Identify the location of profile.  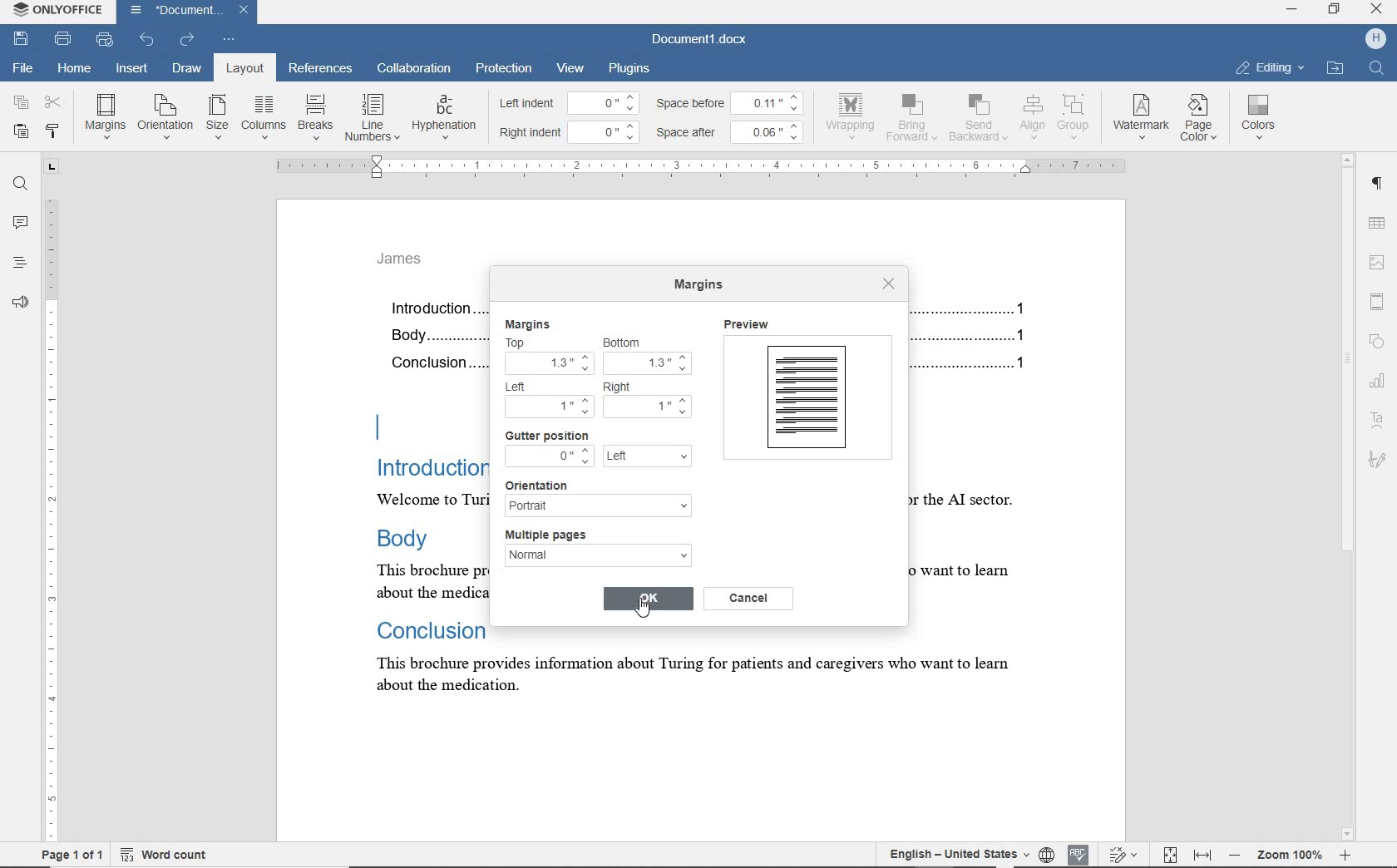
(1364, 40).